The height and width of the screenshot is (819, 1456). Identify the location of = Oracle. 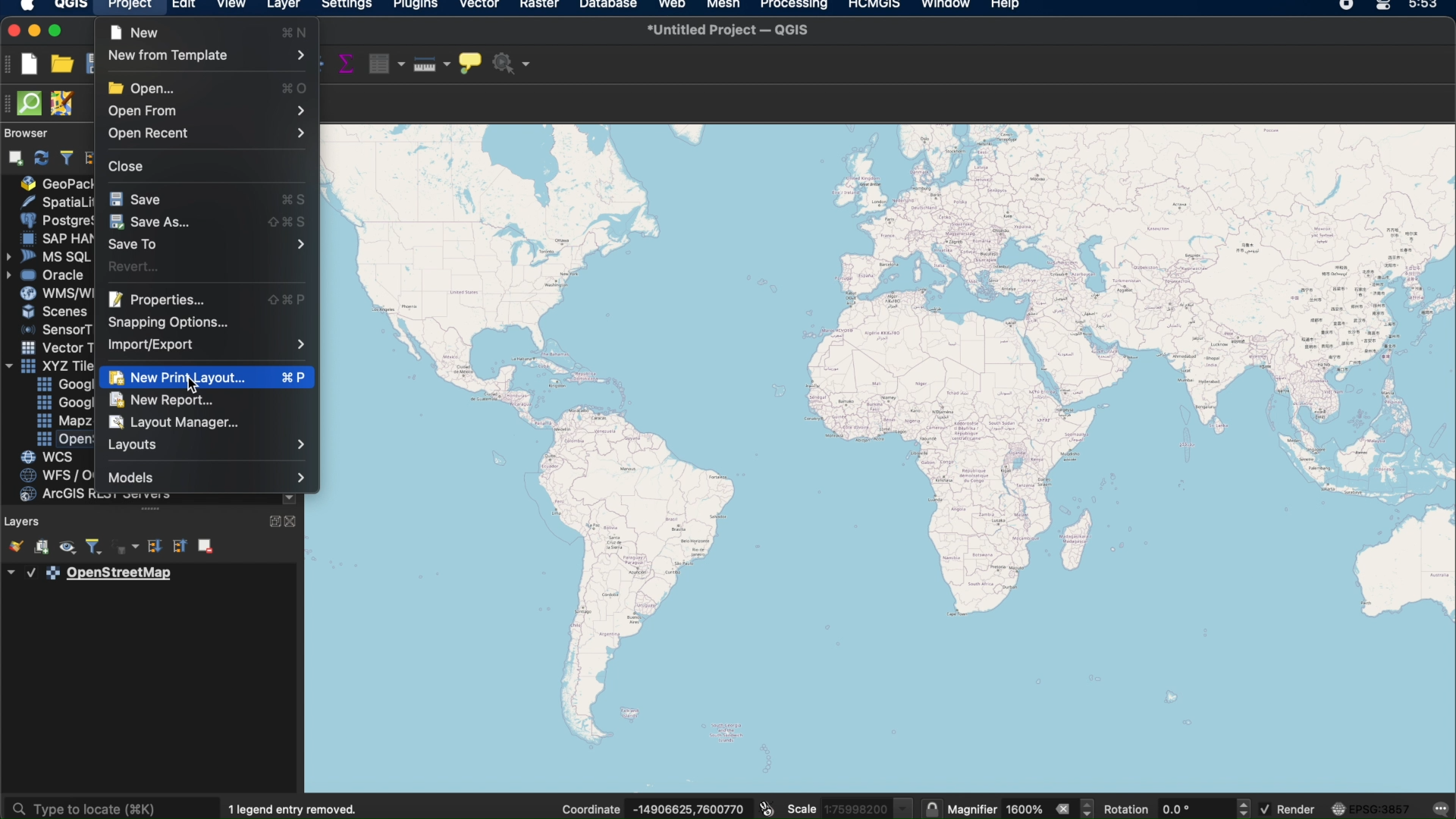
(56, 276).